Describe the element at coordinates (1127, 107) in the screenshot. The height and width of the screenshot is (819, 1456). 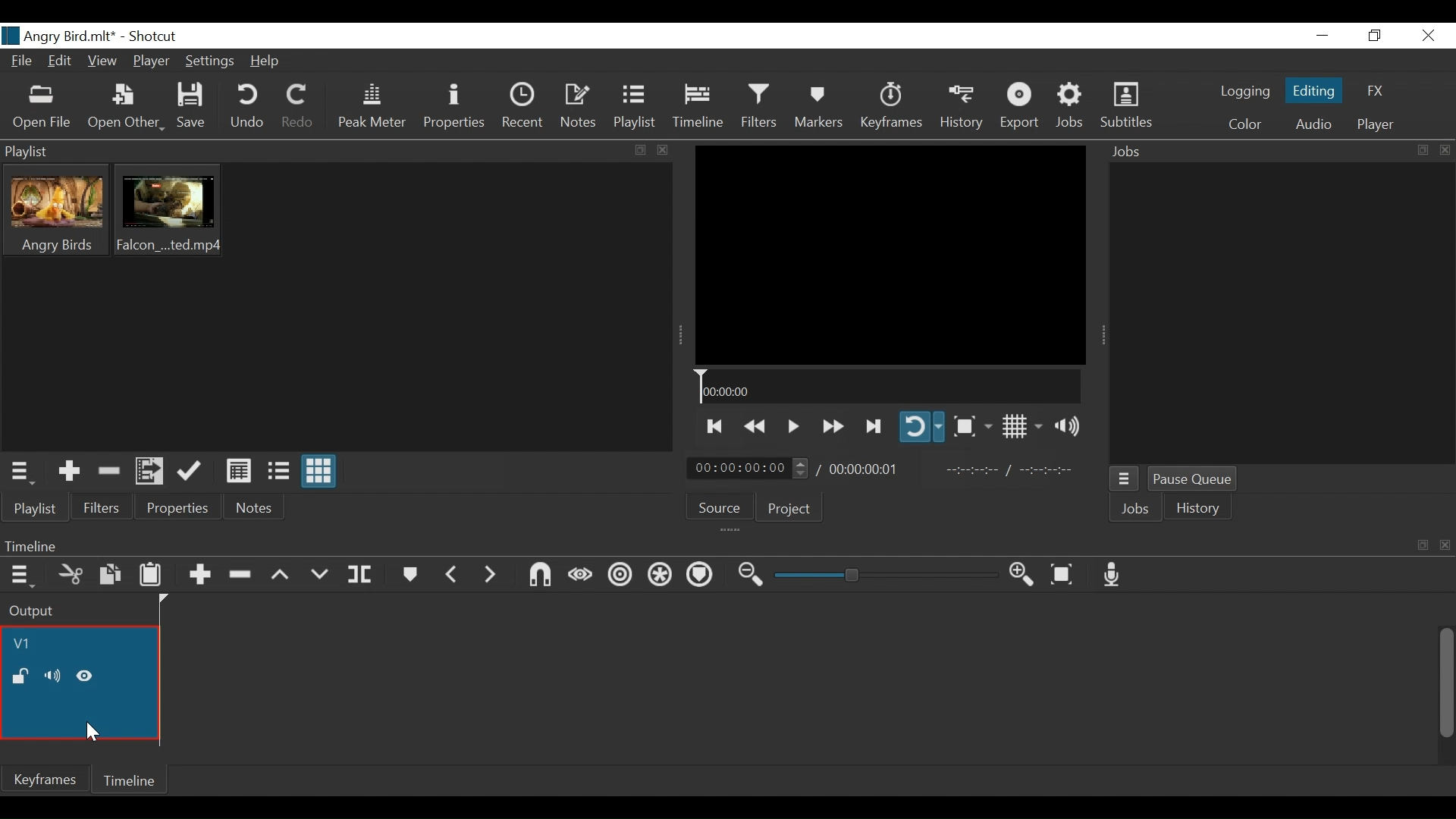
I see `Subtitles` at that location.